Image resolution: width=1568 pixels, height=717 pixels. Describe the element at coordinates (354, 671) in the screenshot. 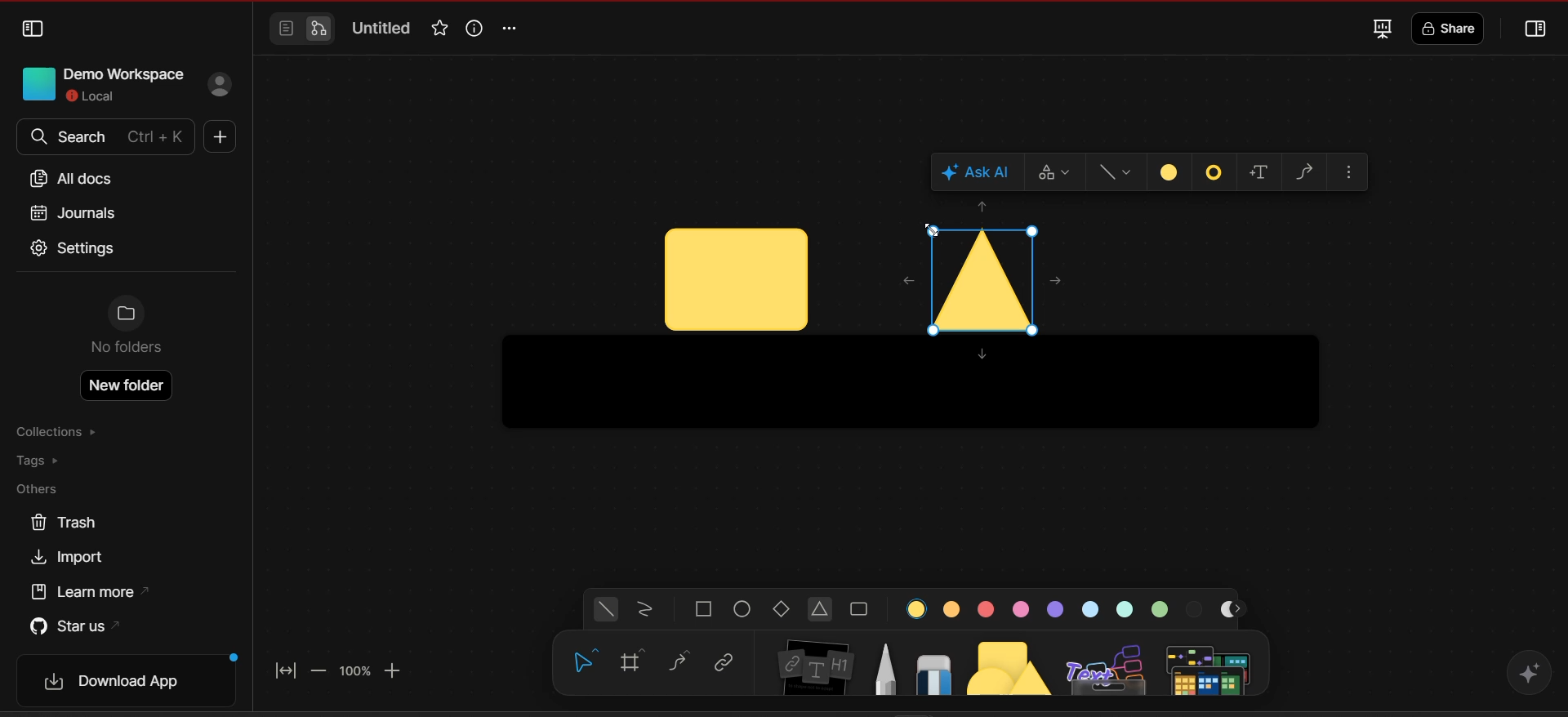

I see `zoom factor` at that location.